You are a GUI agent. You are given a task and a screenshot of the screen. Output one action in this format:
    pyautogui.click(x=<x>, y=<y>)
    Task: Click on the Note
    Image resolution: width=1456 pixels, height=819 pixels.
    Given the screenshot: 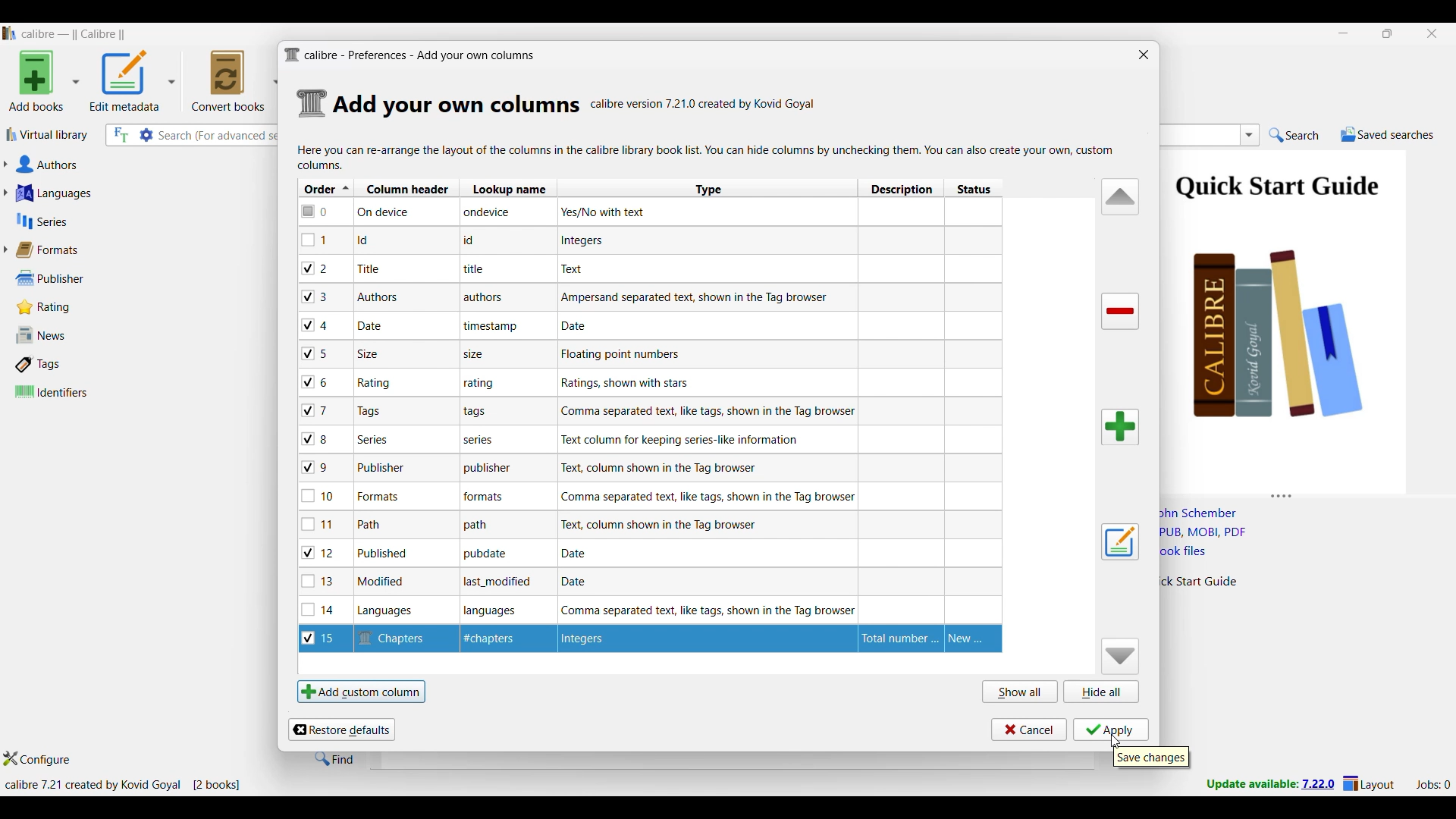 What is the action you would take?
    pyautogui.click(x=371, y=354)
    